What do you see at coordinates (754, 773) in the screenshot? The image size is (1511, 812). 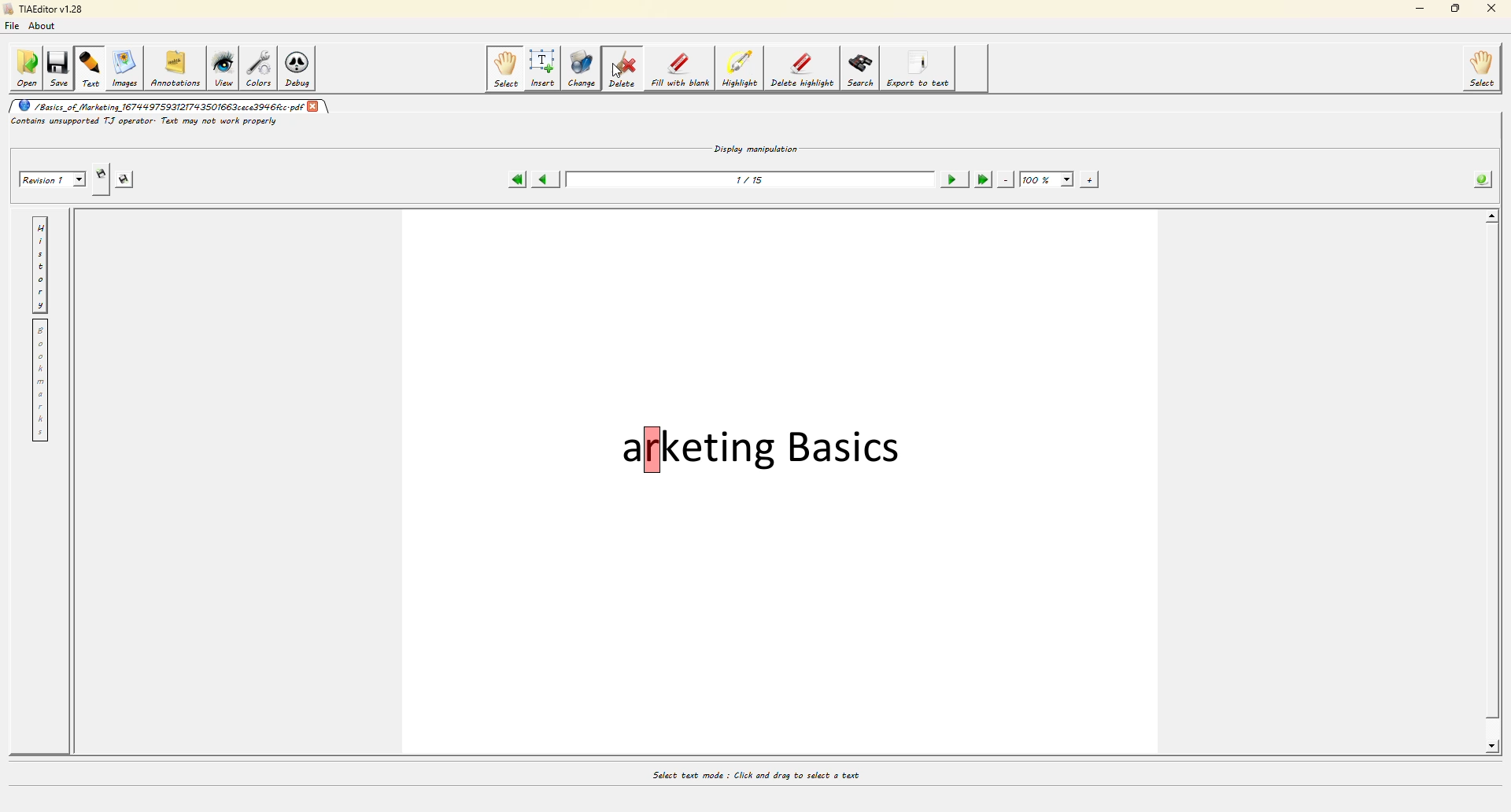 I see `select text mode` at bounding box center [754, 773].